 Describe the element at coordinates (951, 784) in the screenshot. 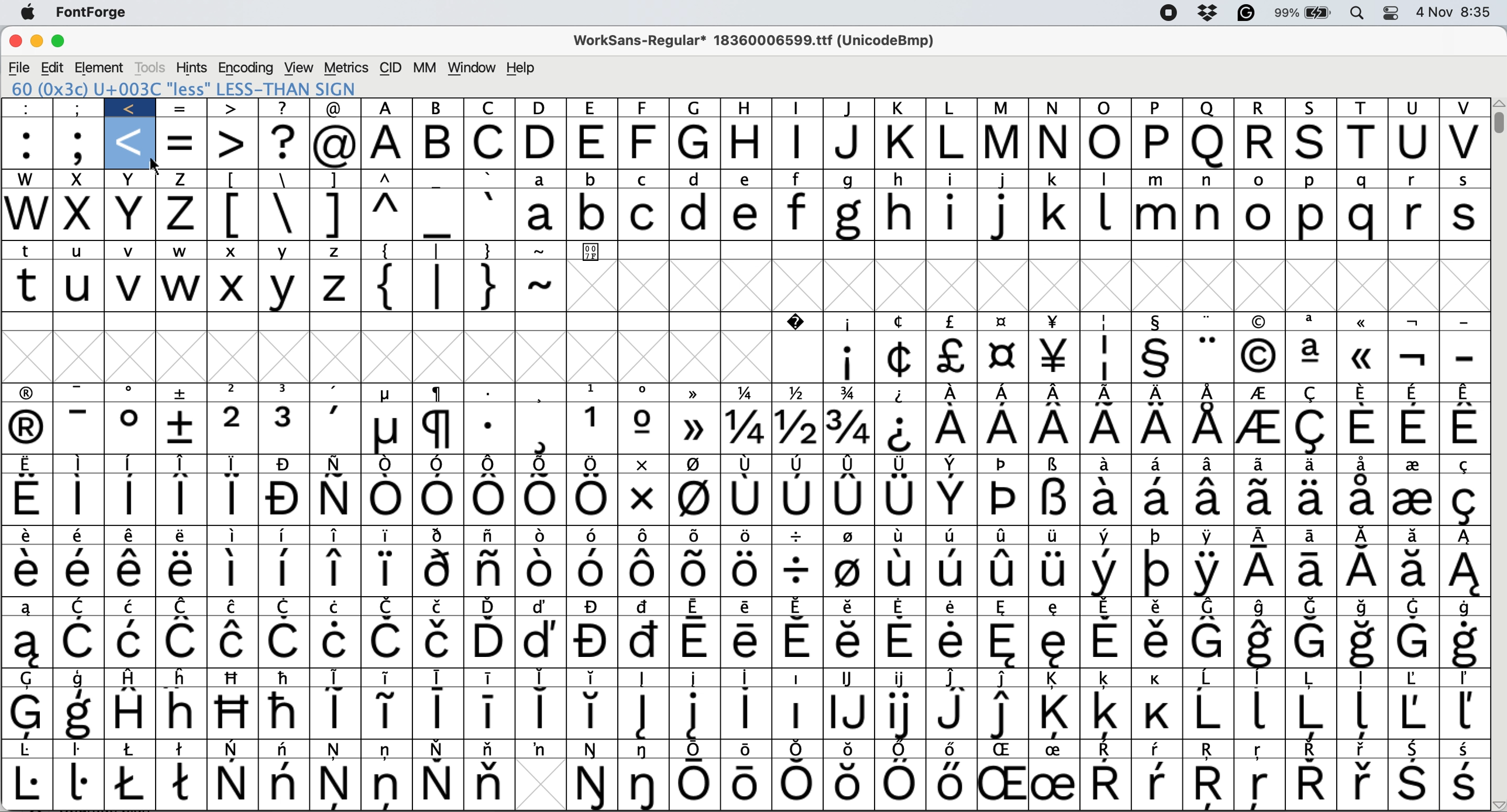

I see `Symbol` at that location.